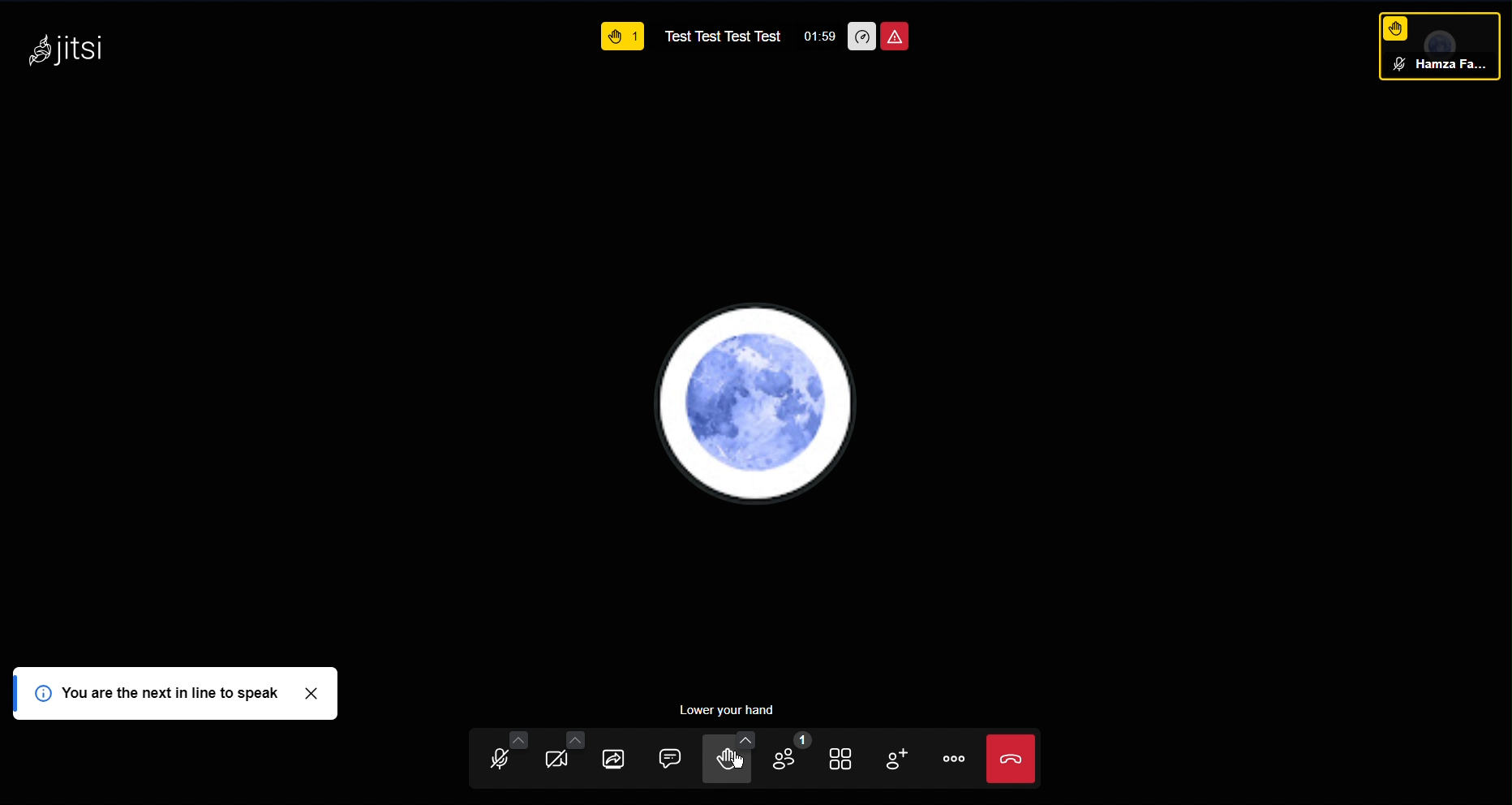  I want to click on 01:59, so click(822, 35).